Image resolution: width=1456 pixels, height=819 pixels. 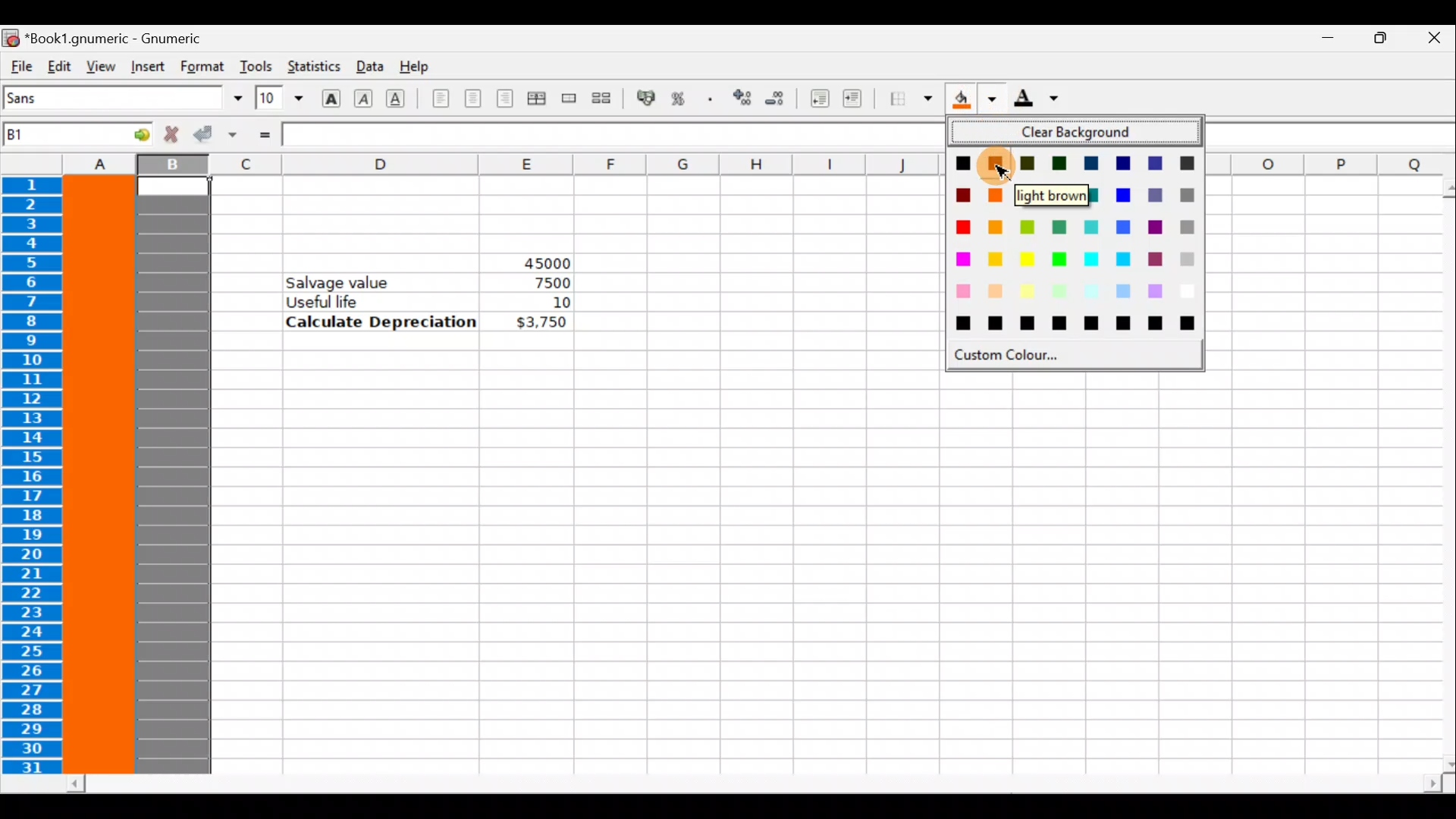 I want to click on Go to, so click(x=131, y=133).